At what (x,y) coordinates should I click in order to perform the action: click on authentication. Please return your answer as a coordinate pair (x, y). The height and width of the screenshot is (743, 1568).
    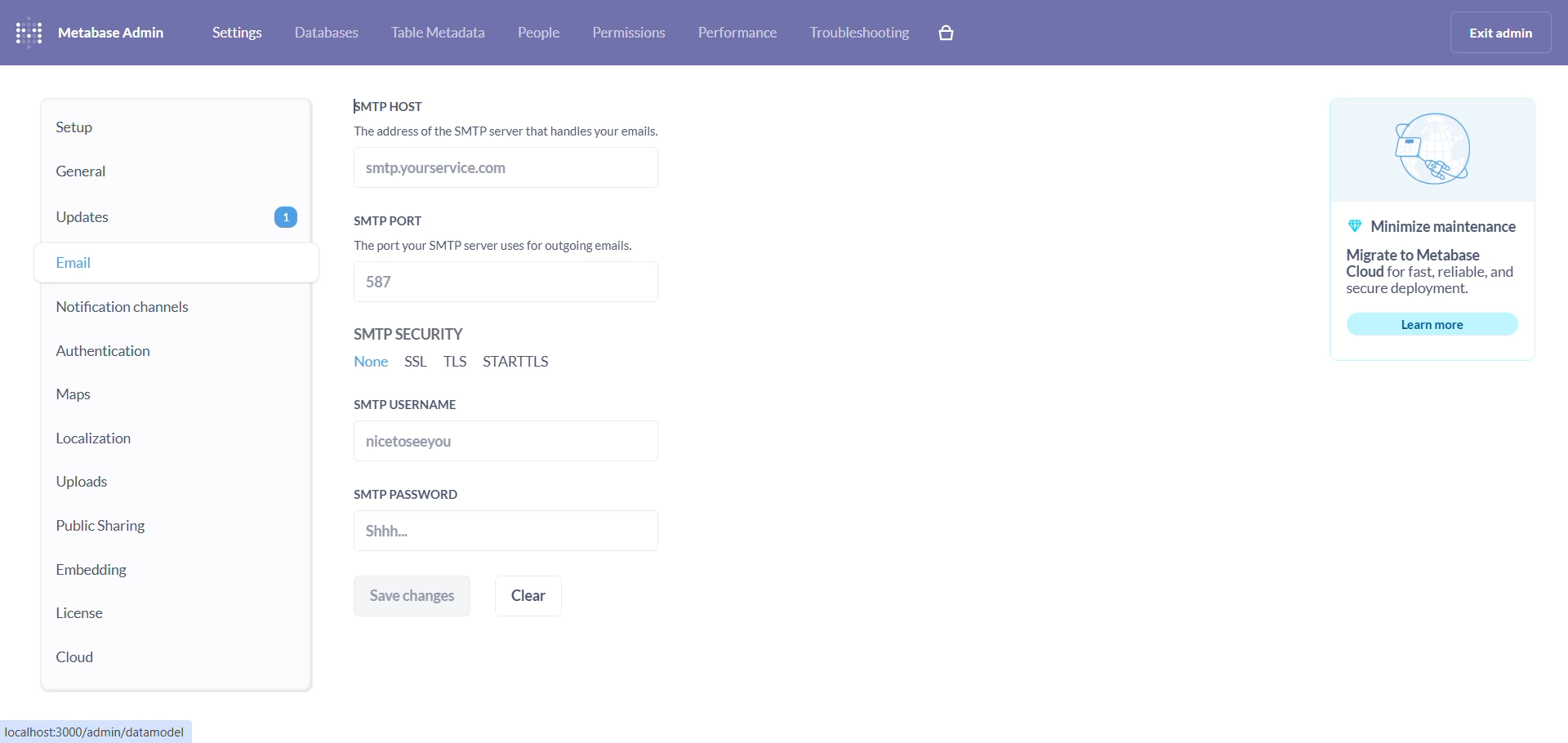
    Looking at the image, I should click on (154, 353).